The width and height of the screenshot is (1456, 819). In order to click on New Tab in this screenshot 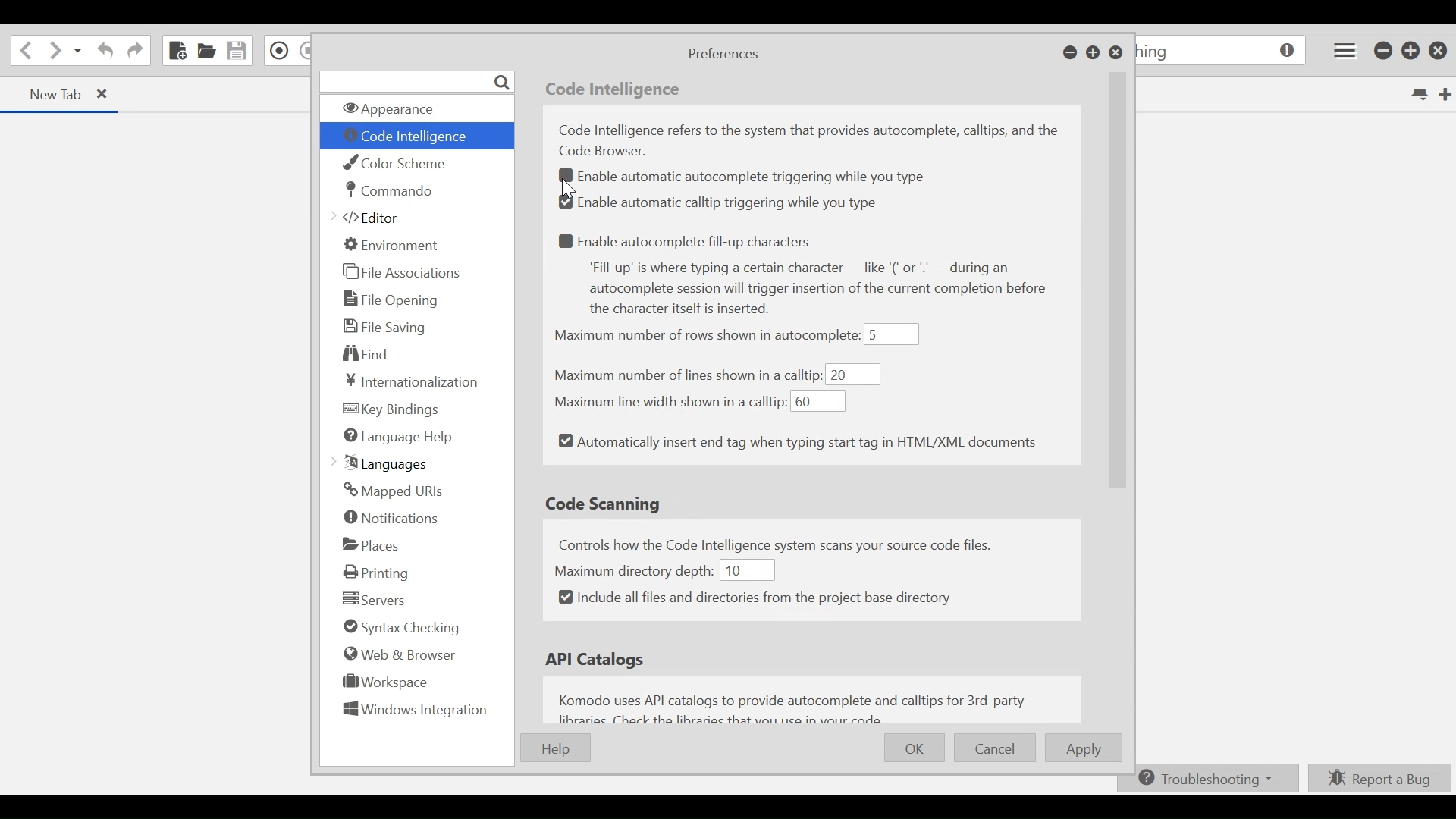, I will do `click(46, 93)`.